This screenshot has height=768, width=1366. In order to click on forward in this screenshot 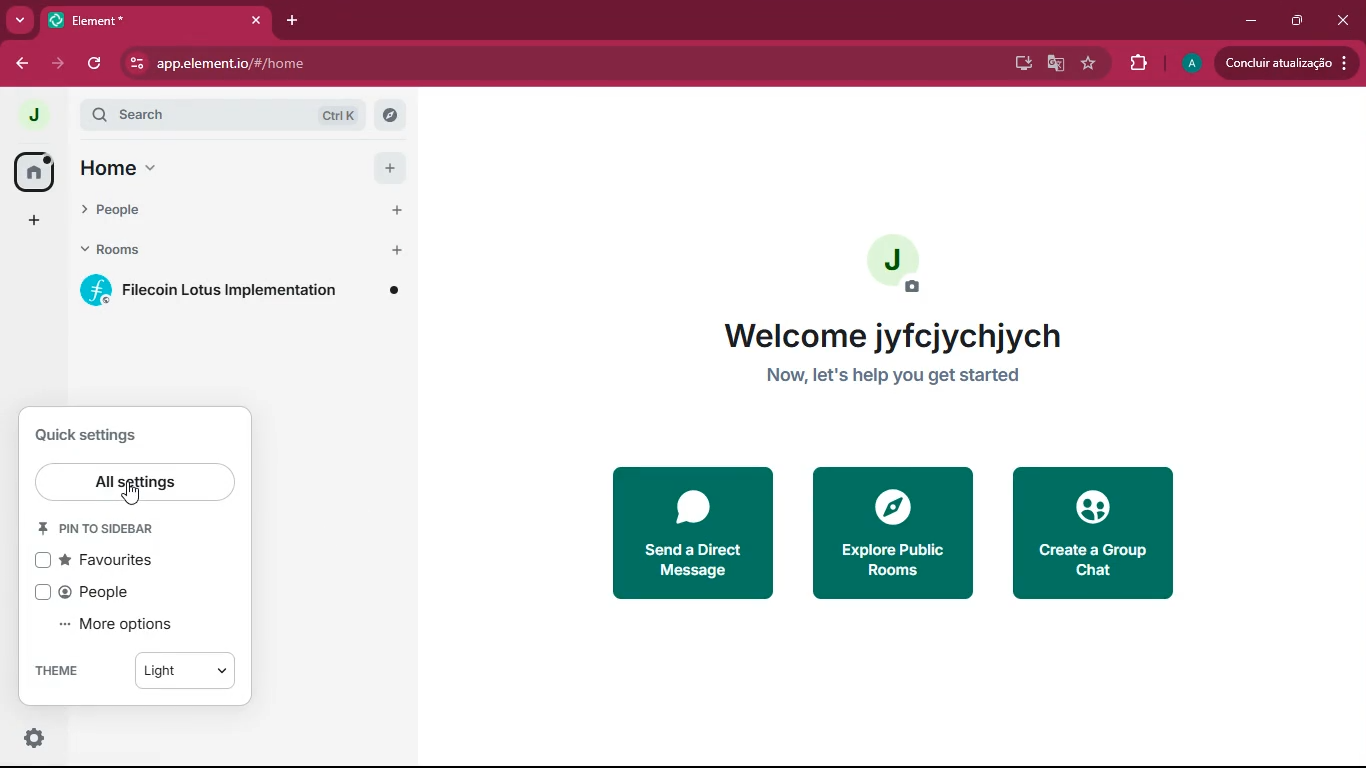, I will do `click(61, 64)`.